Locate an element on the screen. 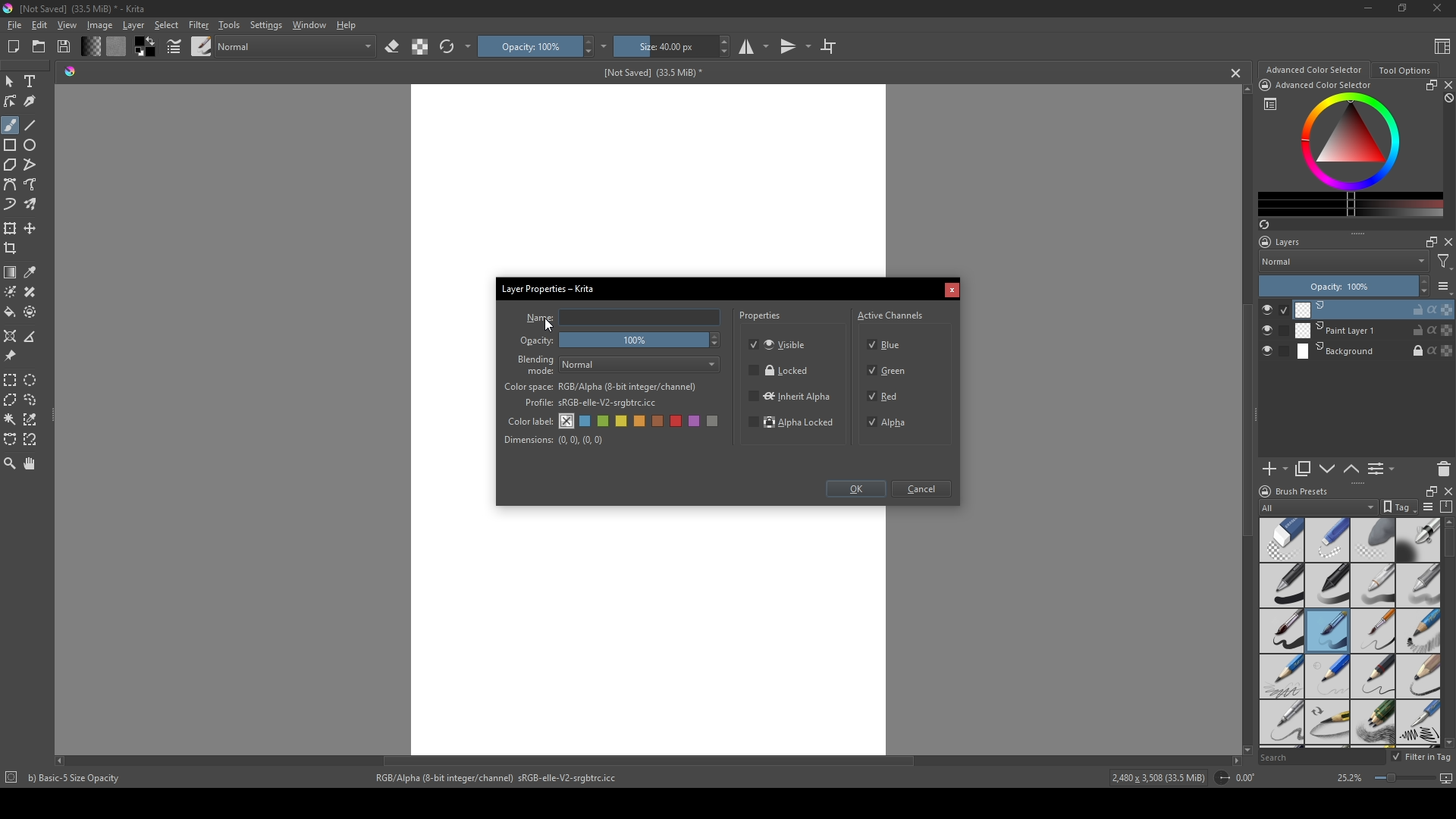  polyline is located at coordinates (32, 165).